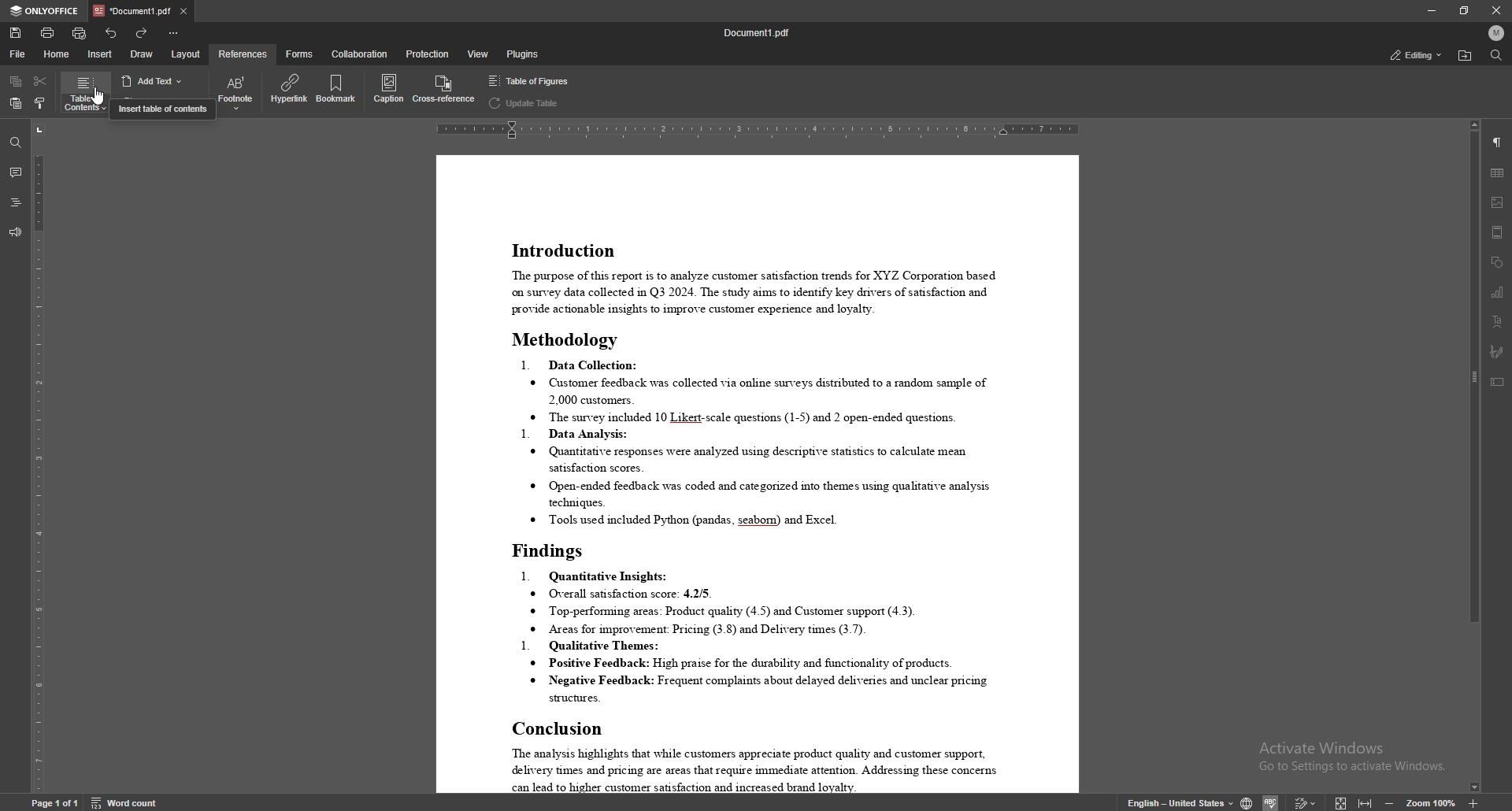 The image size is (1512, 811). What do you see at coordinates (1303, 803) in the screenshot?
I see `` at bounding box center [1303, 803].